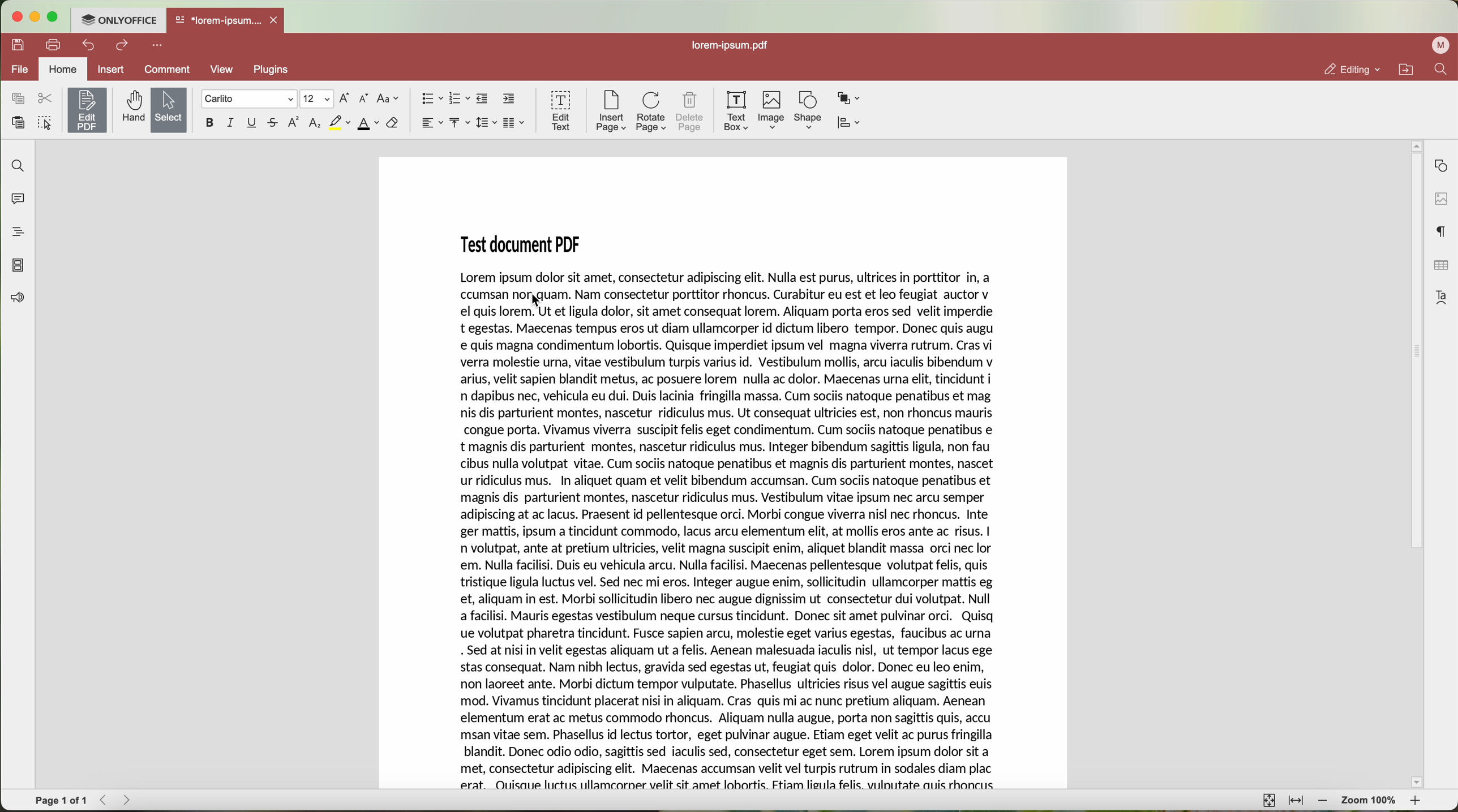  Describe the element at coordinates (18, 98) in the screenshot. I see `copy` at that location.